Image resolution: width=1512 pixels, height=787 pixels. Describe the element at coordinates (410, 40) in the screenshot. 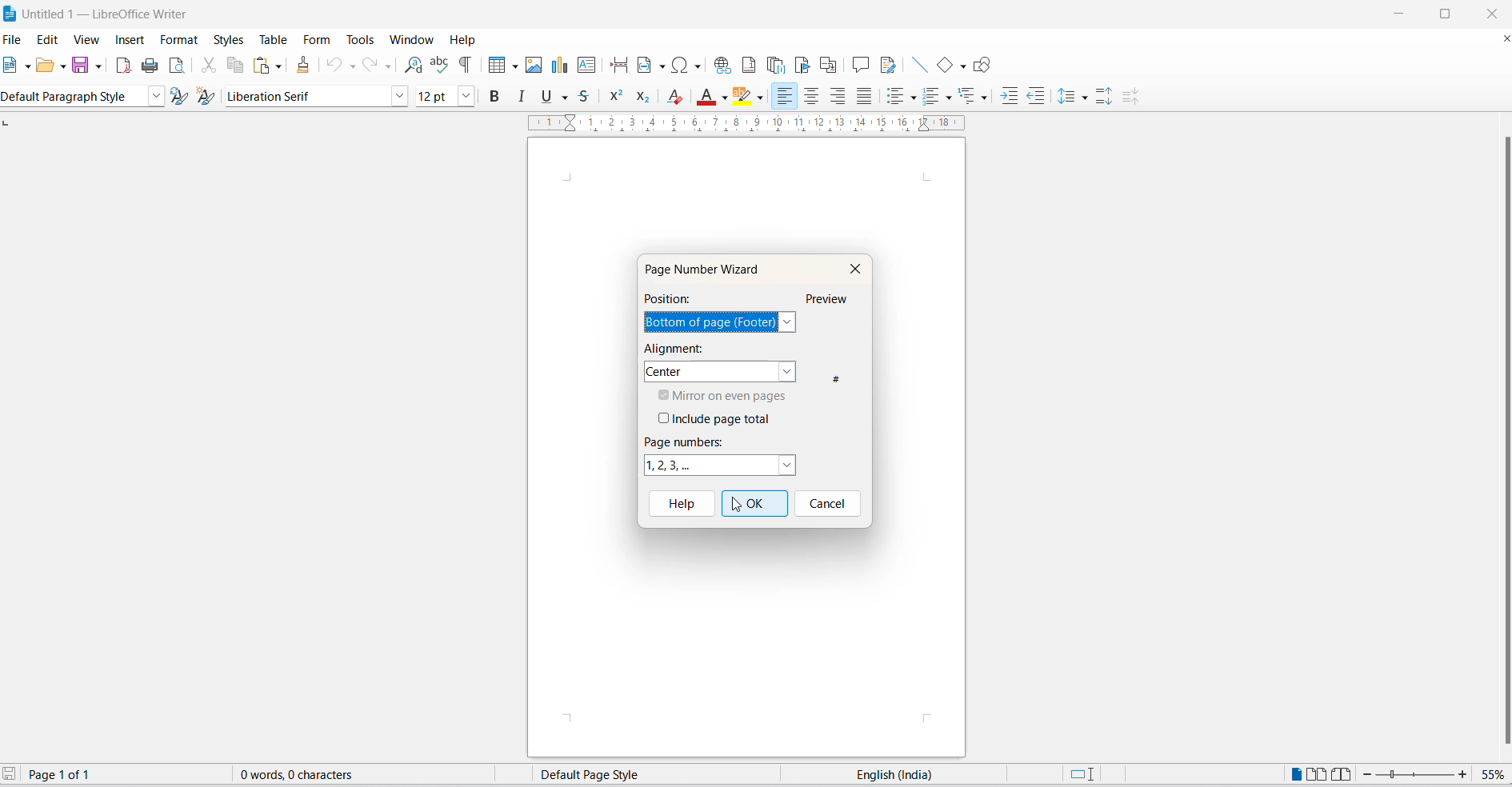

I see `window` at that location.